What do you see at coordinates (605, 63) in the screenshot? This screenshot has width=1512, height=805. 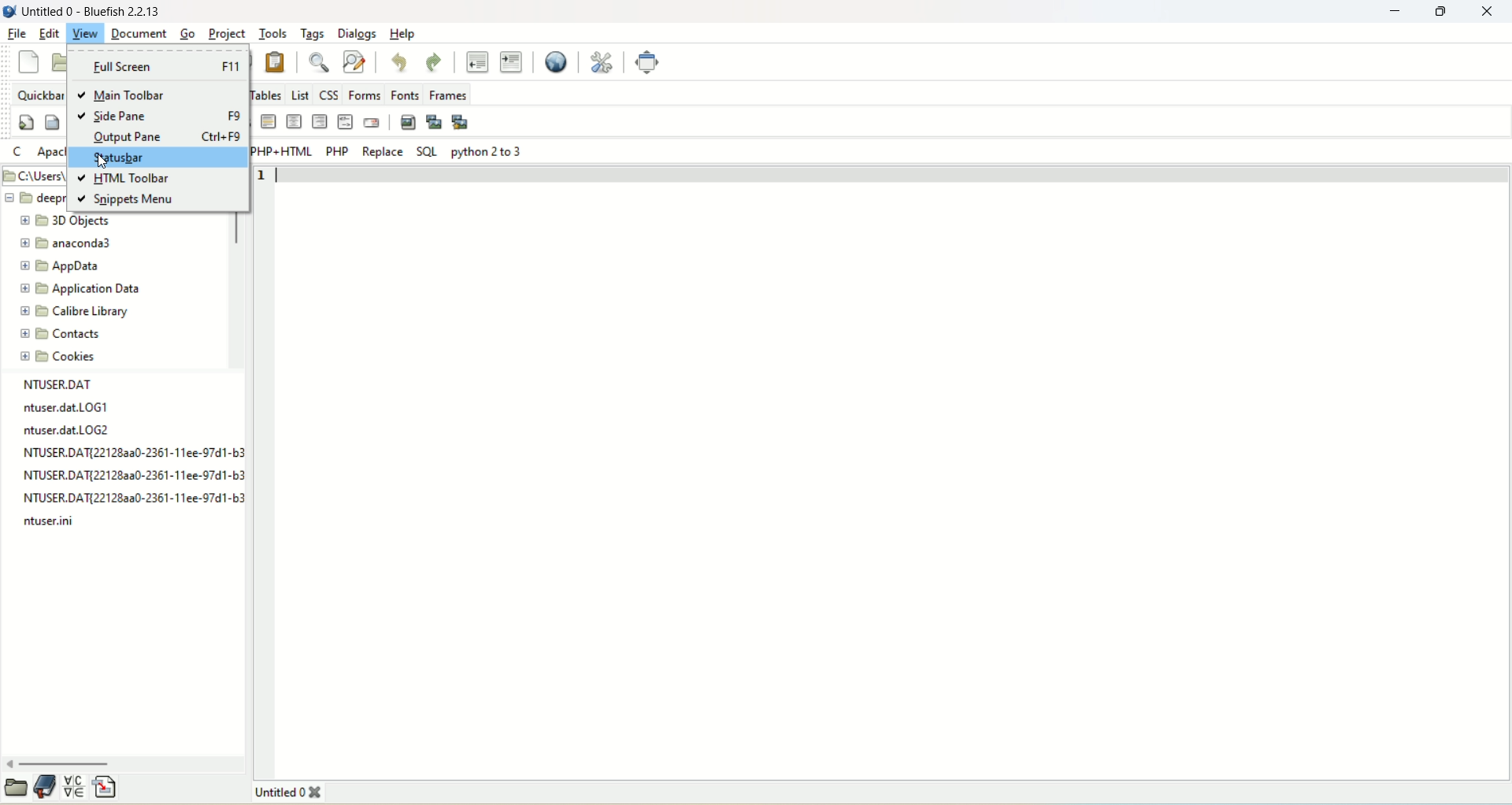 I see `edit references` at bounding box center [605, 63].